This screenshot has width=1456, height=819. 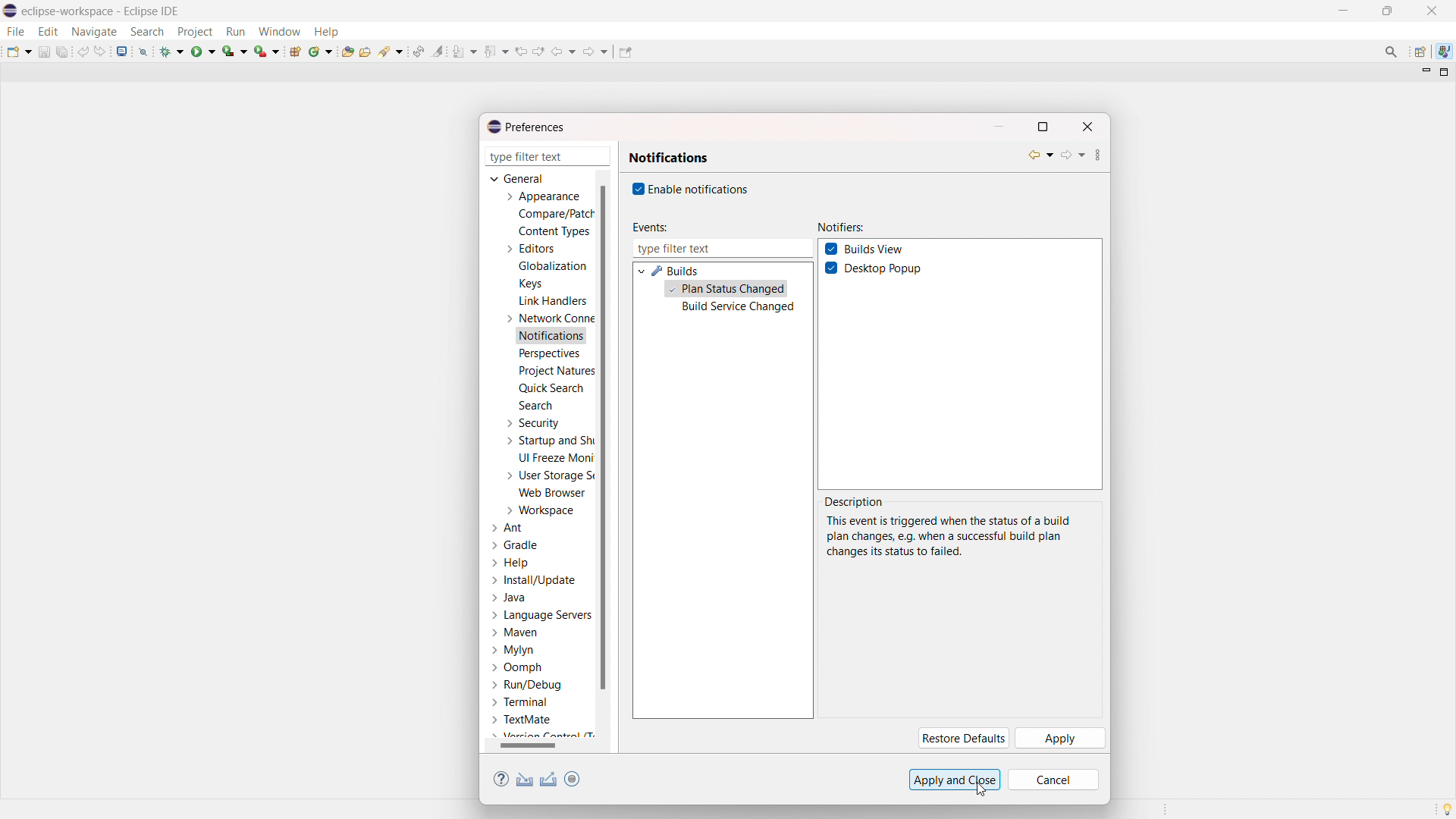 What do you see at coordinates (11, 11) in the screenshot?
I see `logo` at bounding box center [11, 11].